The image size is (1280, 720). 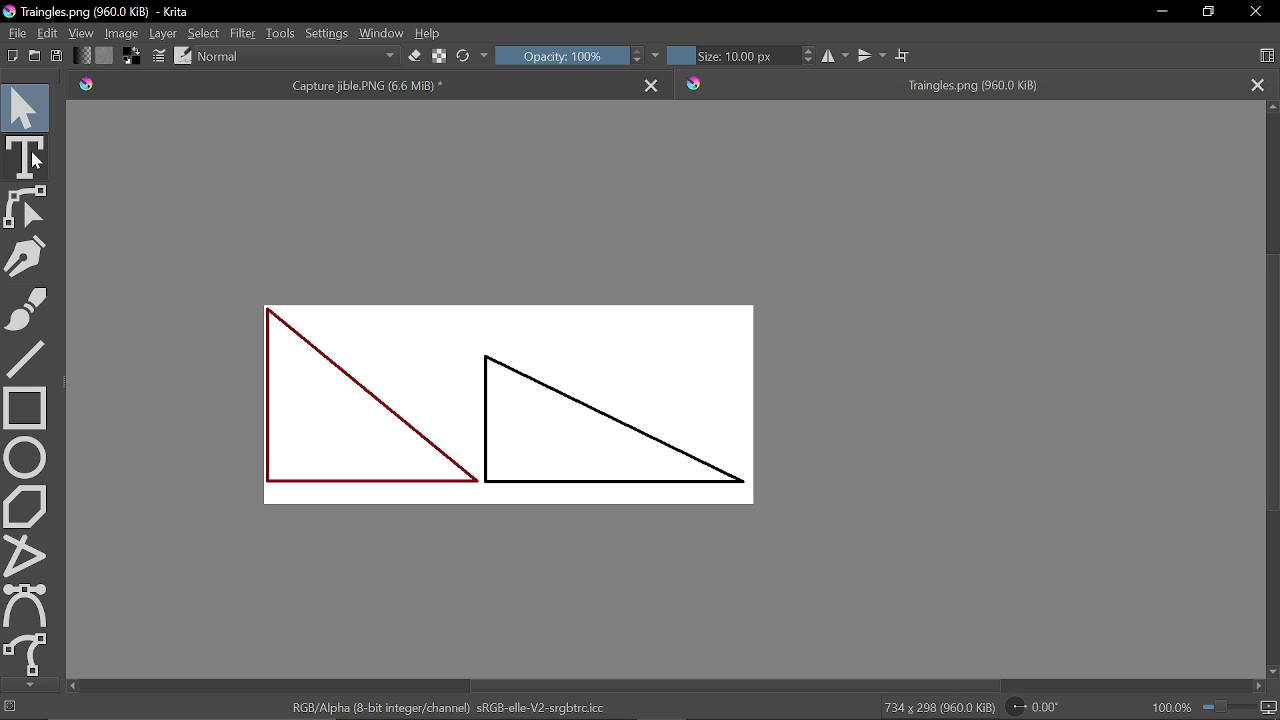 I want to click on Window, so click(x=382, y=35).